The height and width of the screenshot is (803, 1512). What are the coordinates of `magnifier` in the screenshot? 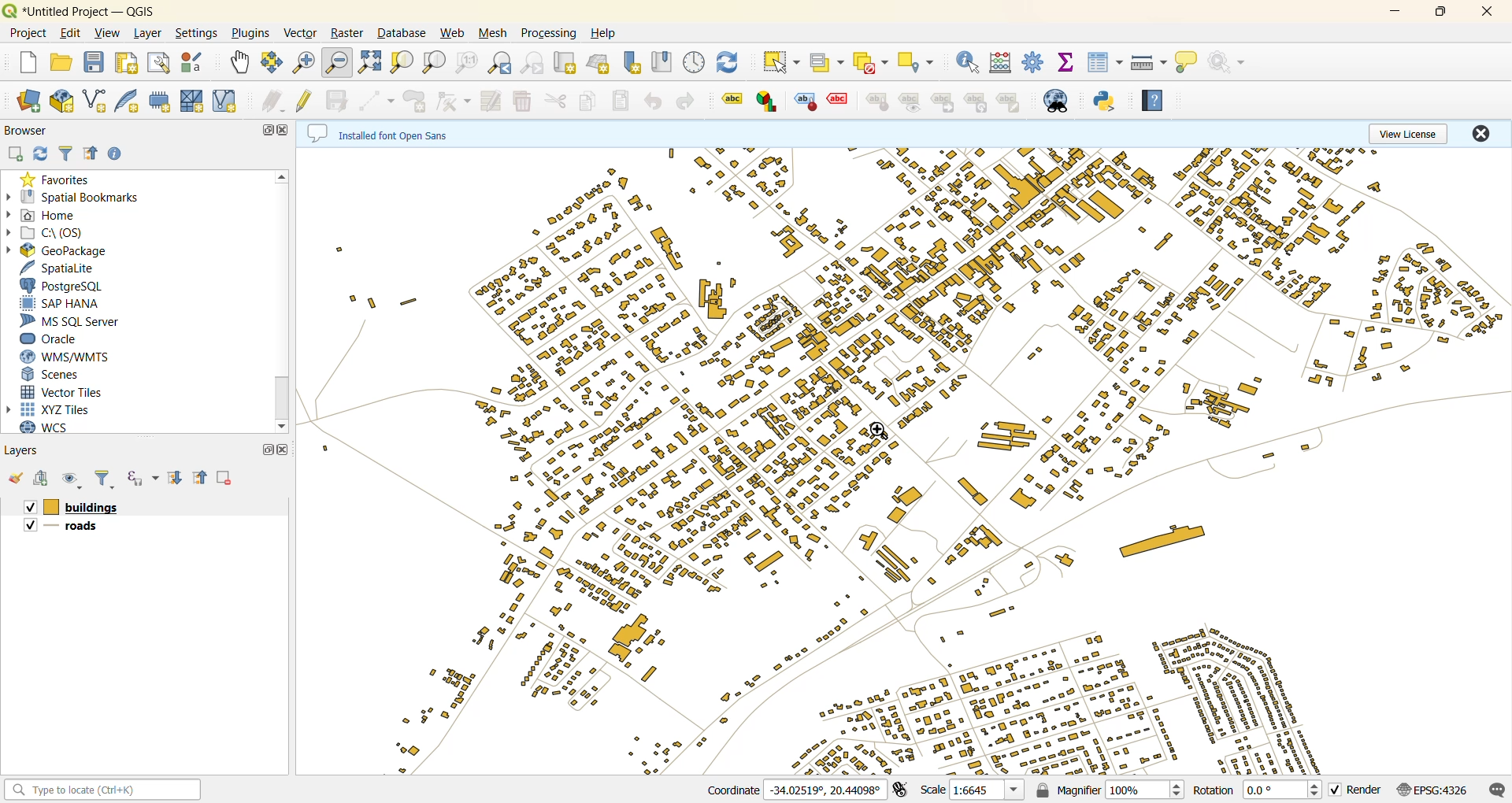 It's located at (1106, 790).